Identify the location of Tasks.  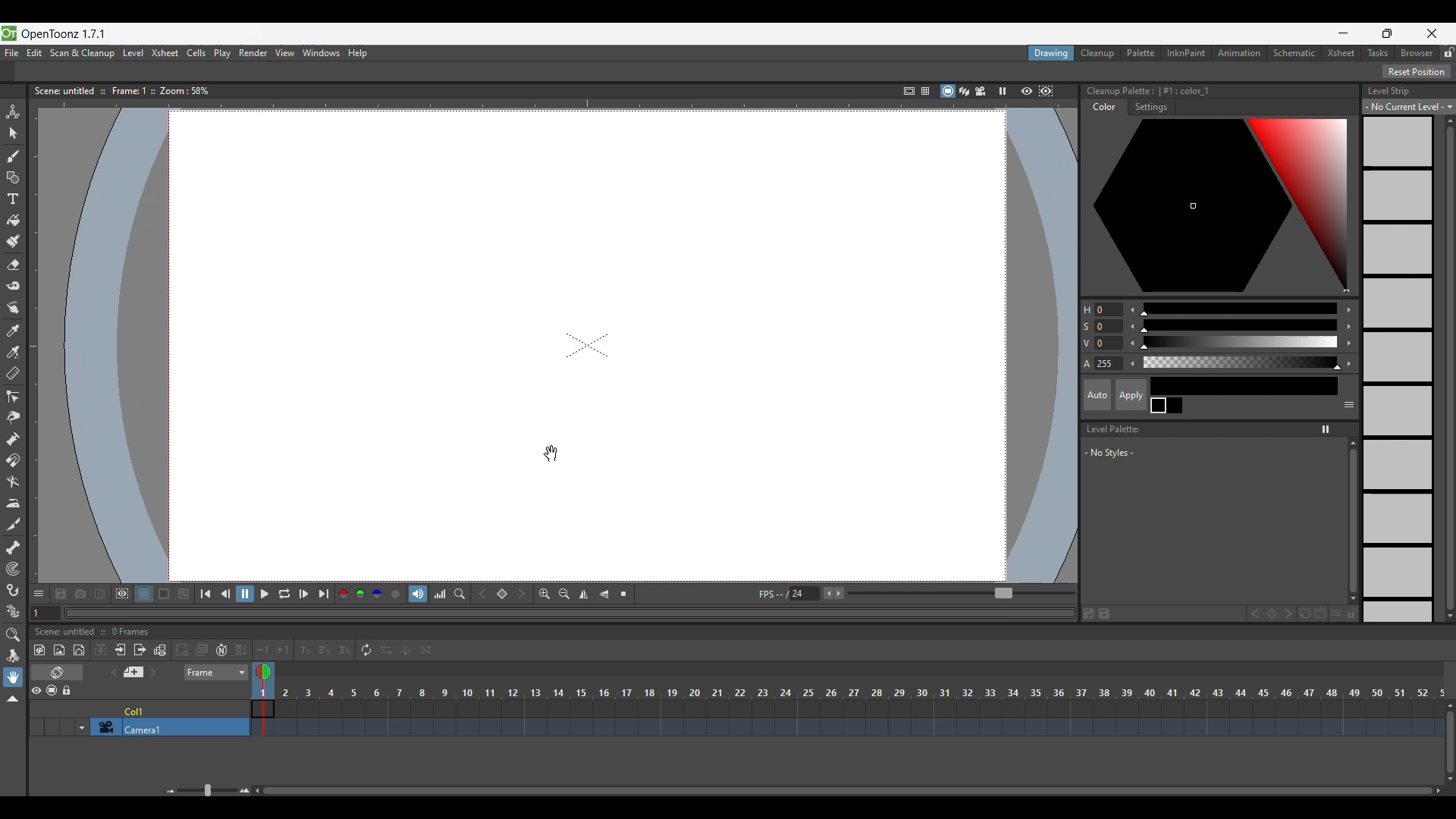
(1378, 53).